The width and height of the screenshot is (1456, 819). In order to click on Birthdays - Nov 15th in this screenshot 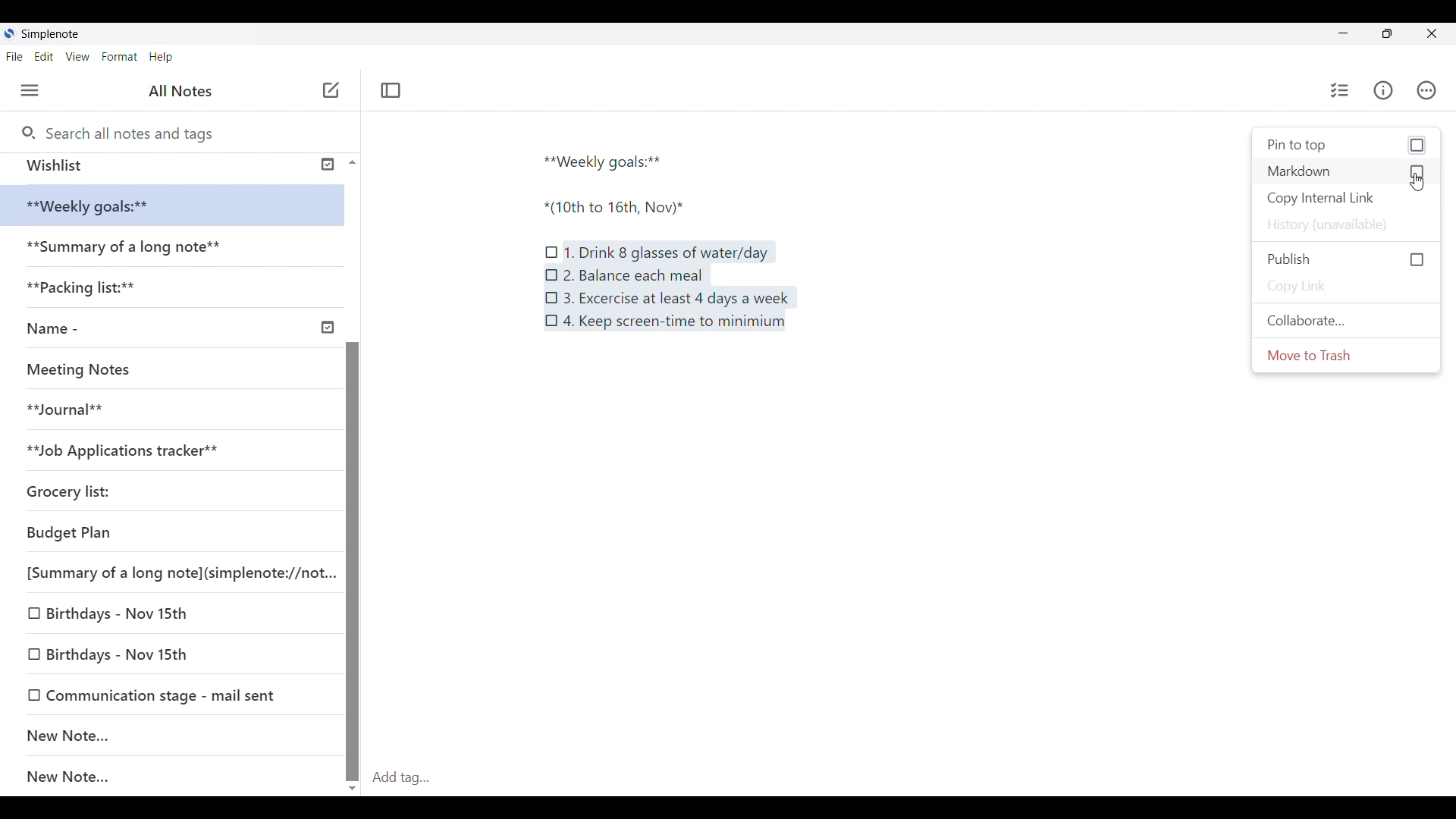, I will do `click(153, 616)`.